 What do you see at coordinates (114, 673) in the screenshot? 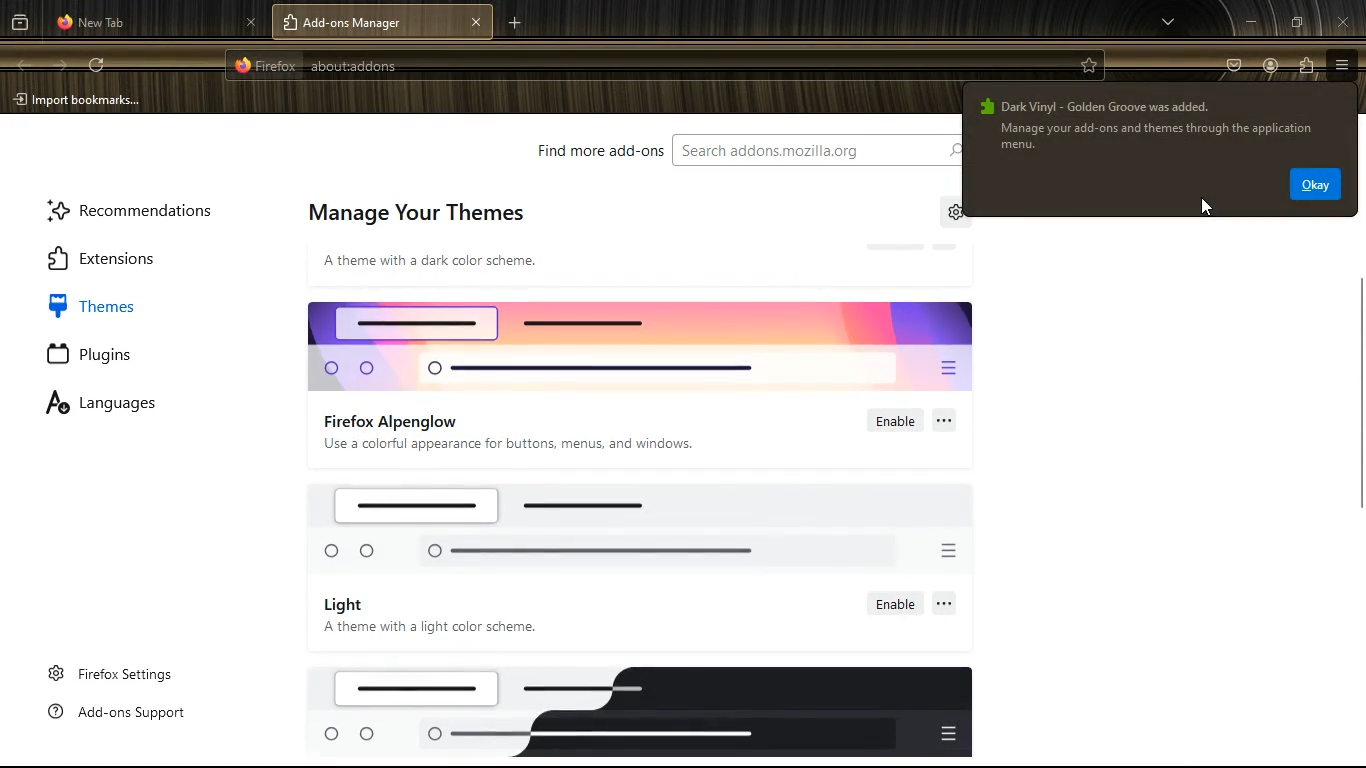
I see `firefox settings` at bounding box center [114, 673].